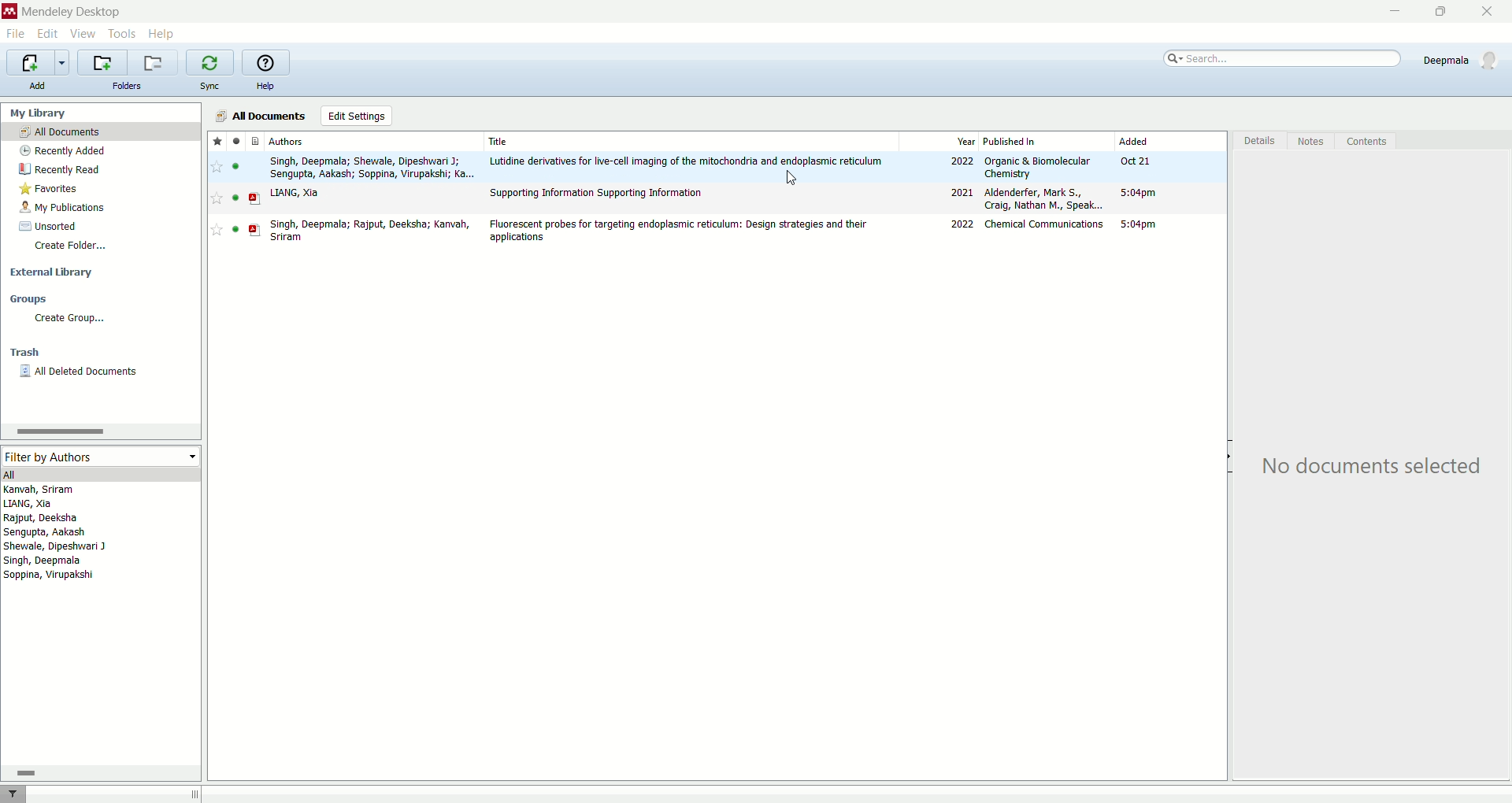 This screenshot has height=803, width=1512. Describe the element at coordinates (255, 199) in the screenshot. I see `PDF` at that location.